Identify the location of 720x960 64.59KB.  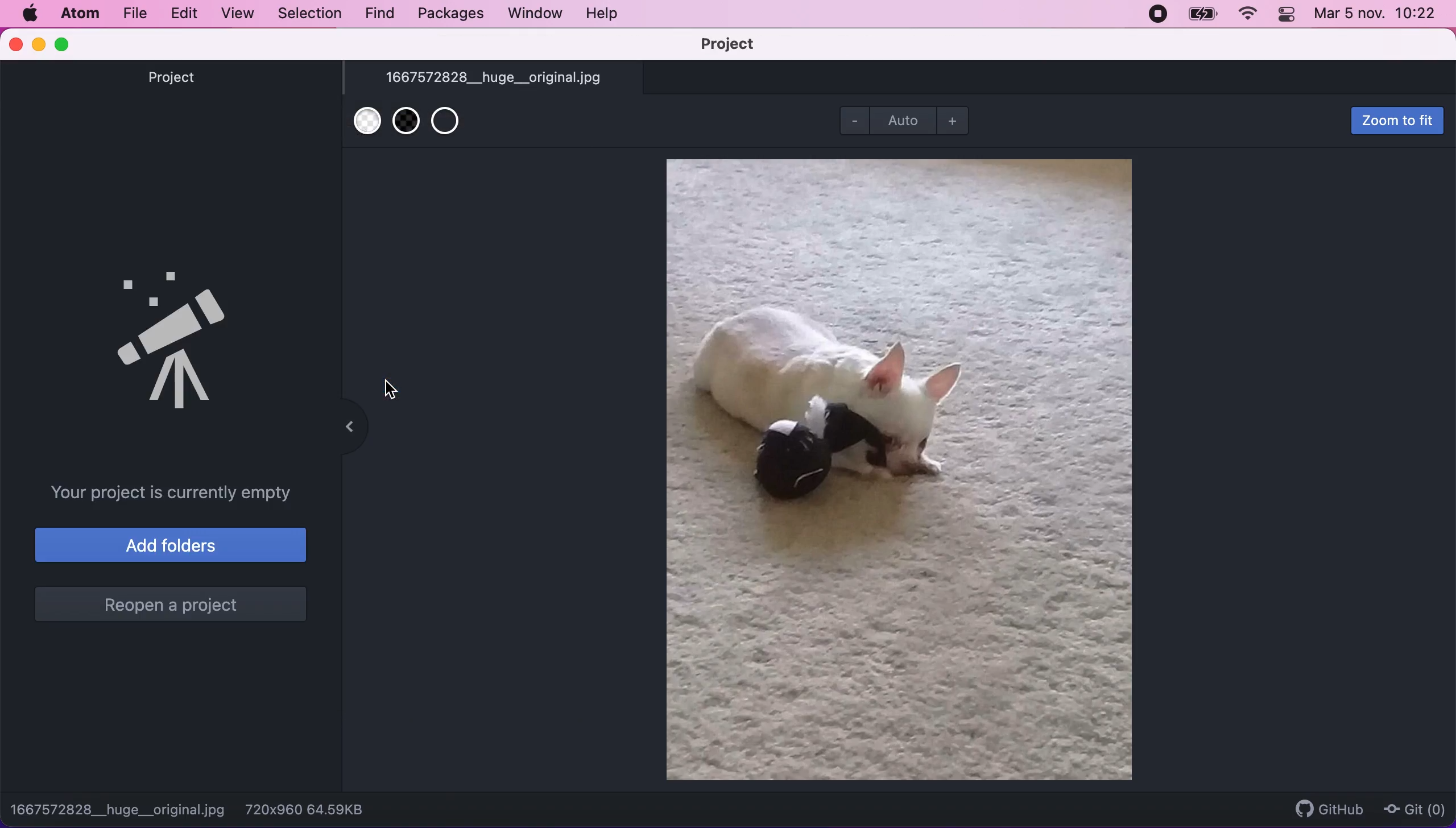
(313, 809).